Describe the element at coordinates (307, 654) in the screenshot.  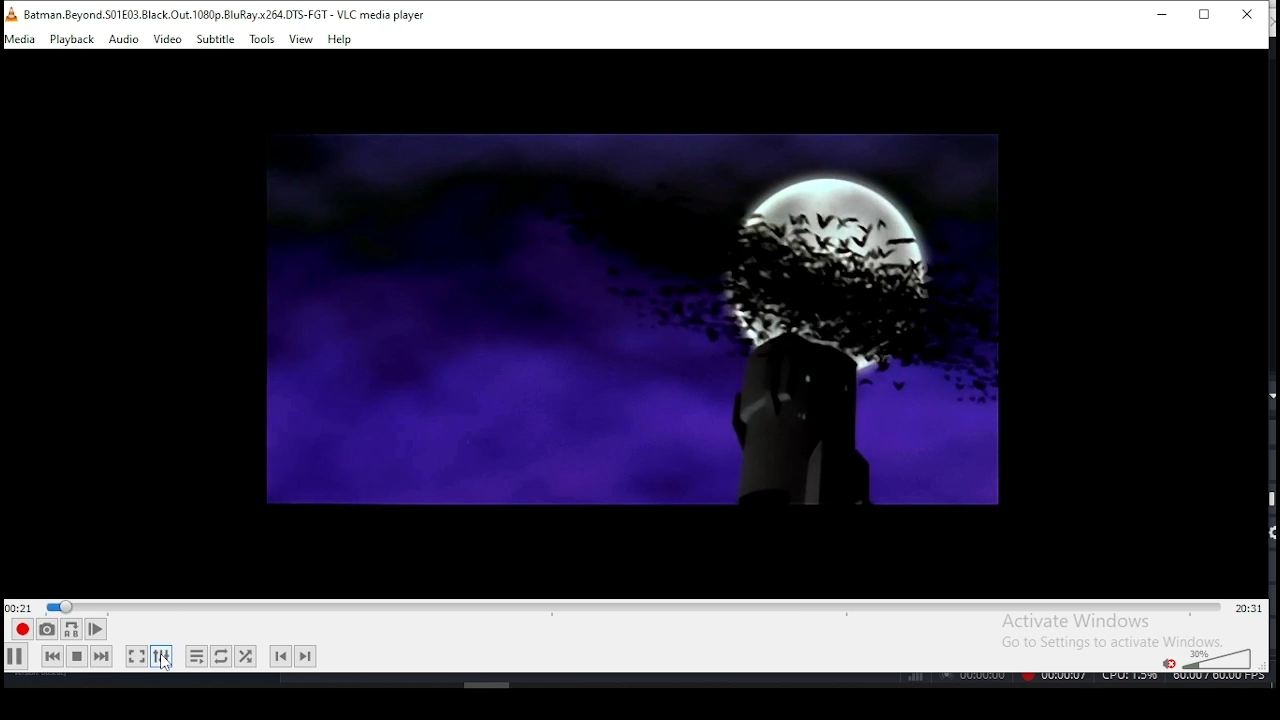
I see `next chapter` at that location.